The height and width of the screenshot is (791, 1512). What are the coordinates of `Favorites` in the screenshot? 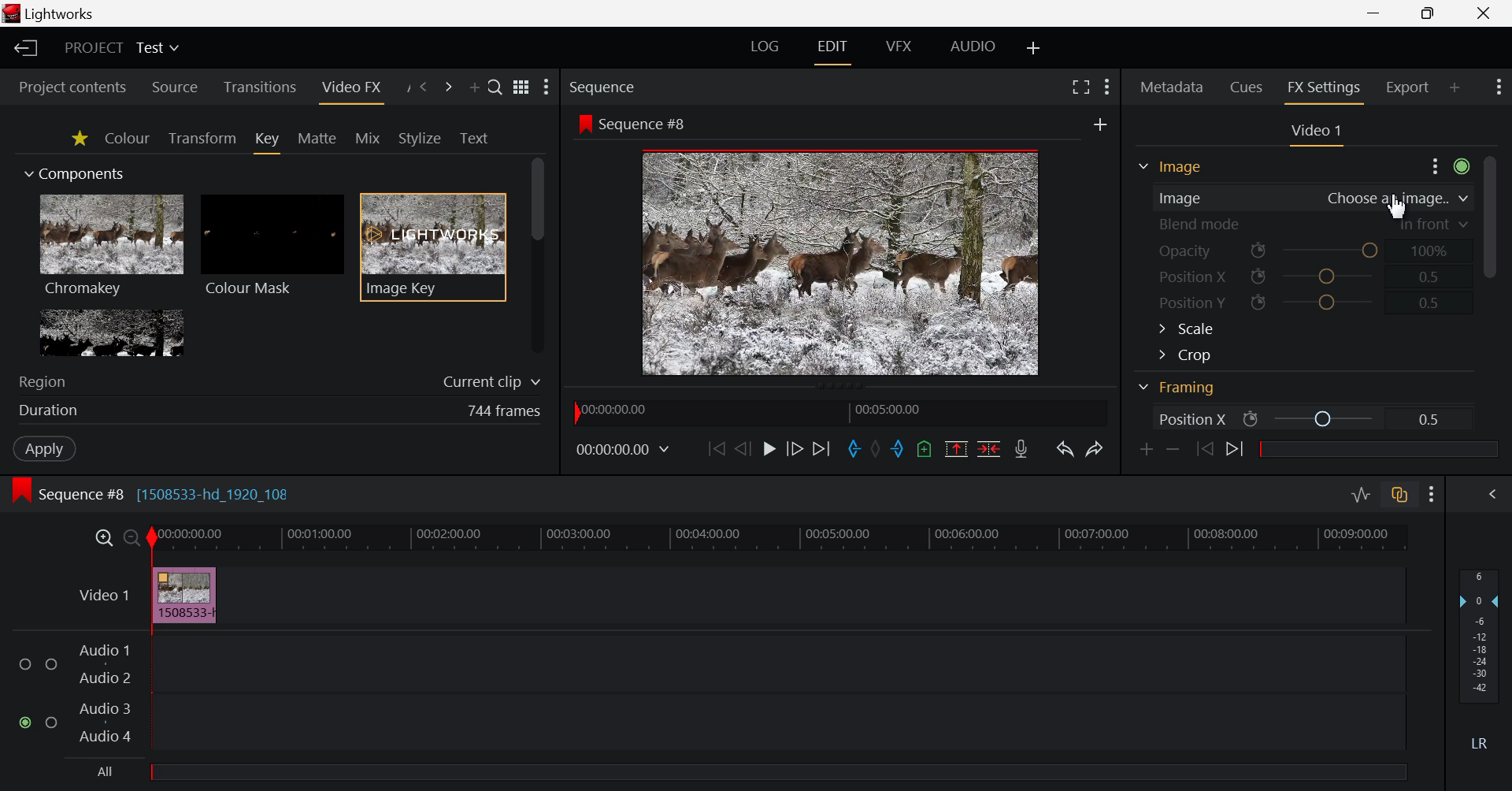 It's located at (80, 141).